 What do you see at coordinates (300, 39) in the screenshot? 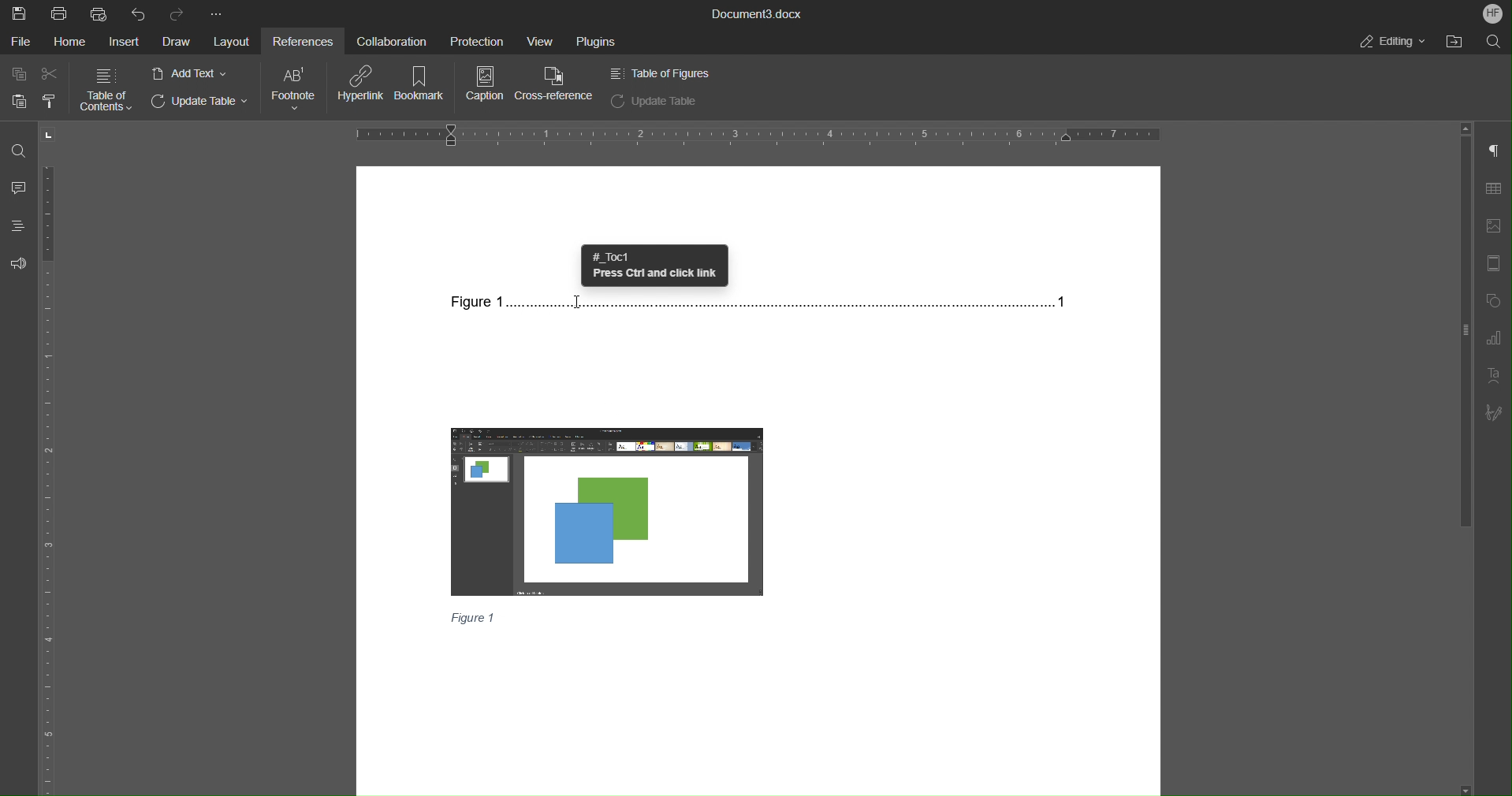
I see `References` at bounding box center [300, 39].